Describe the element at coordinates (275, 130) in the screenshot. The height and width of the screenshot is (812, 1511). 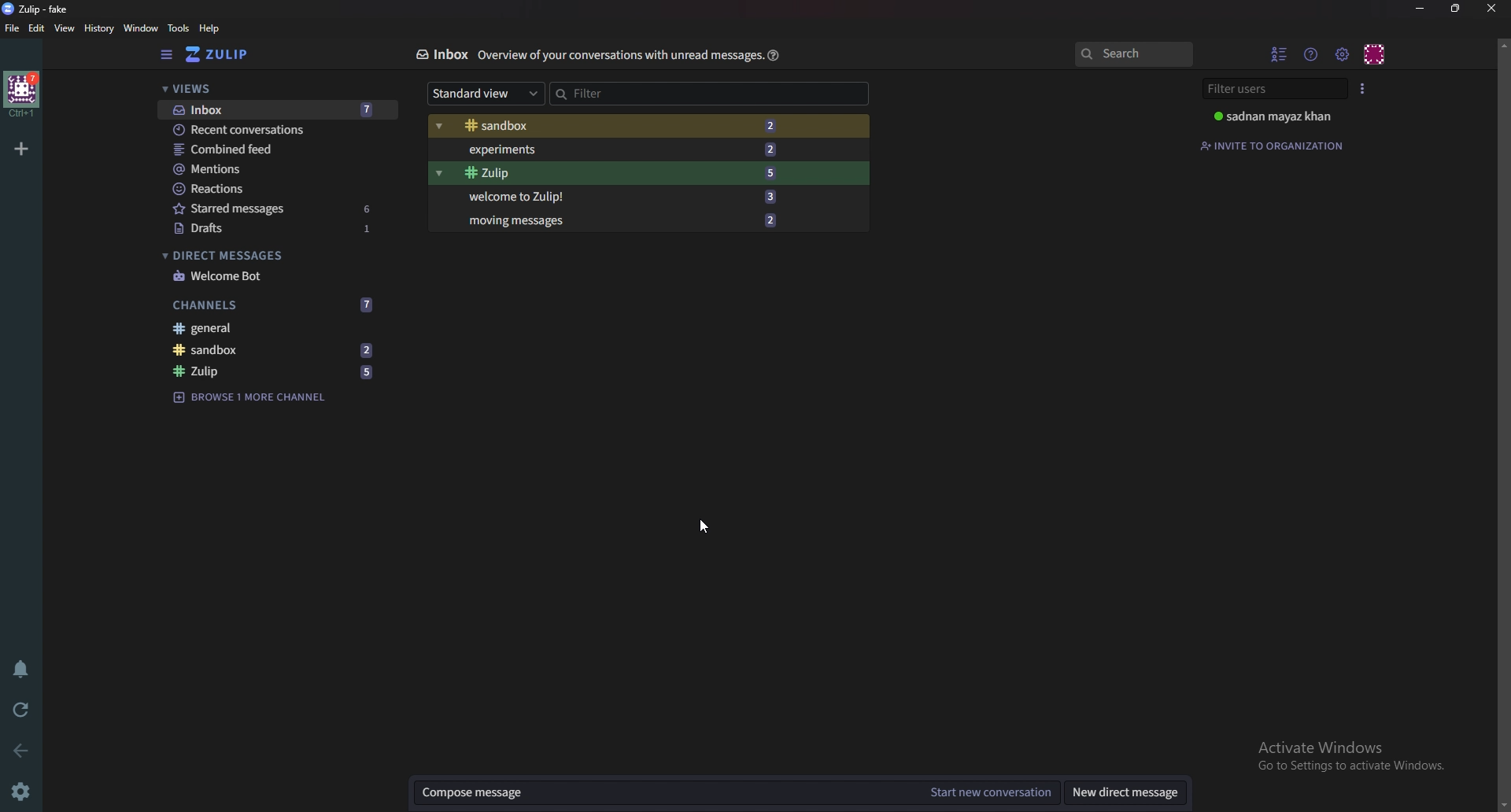
I see `Recent conversations` at that location.